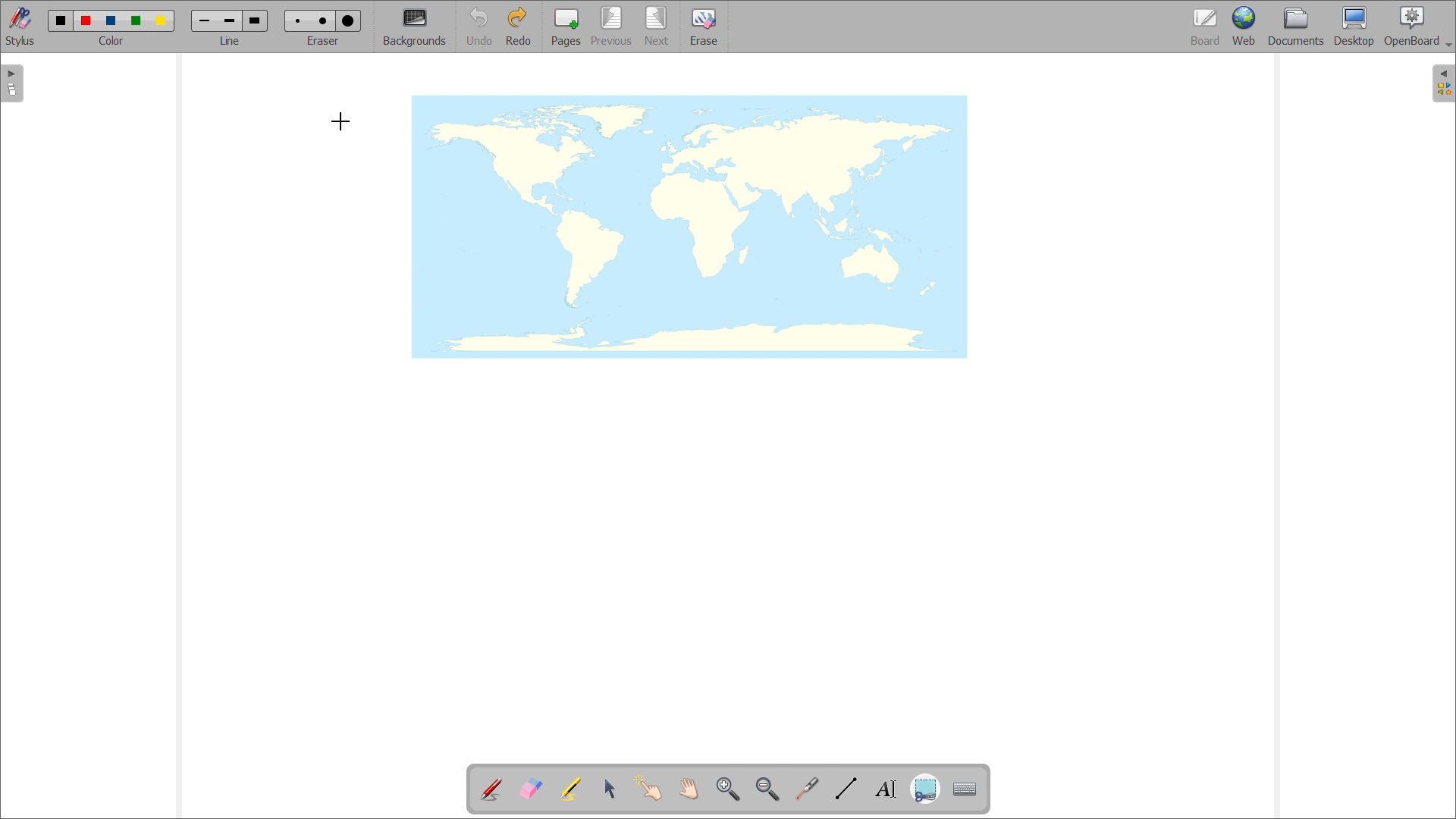  I want to click on undo, so click(479, 27).